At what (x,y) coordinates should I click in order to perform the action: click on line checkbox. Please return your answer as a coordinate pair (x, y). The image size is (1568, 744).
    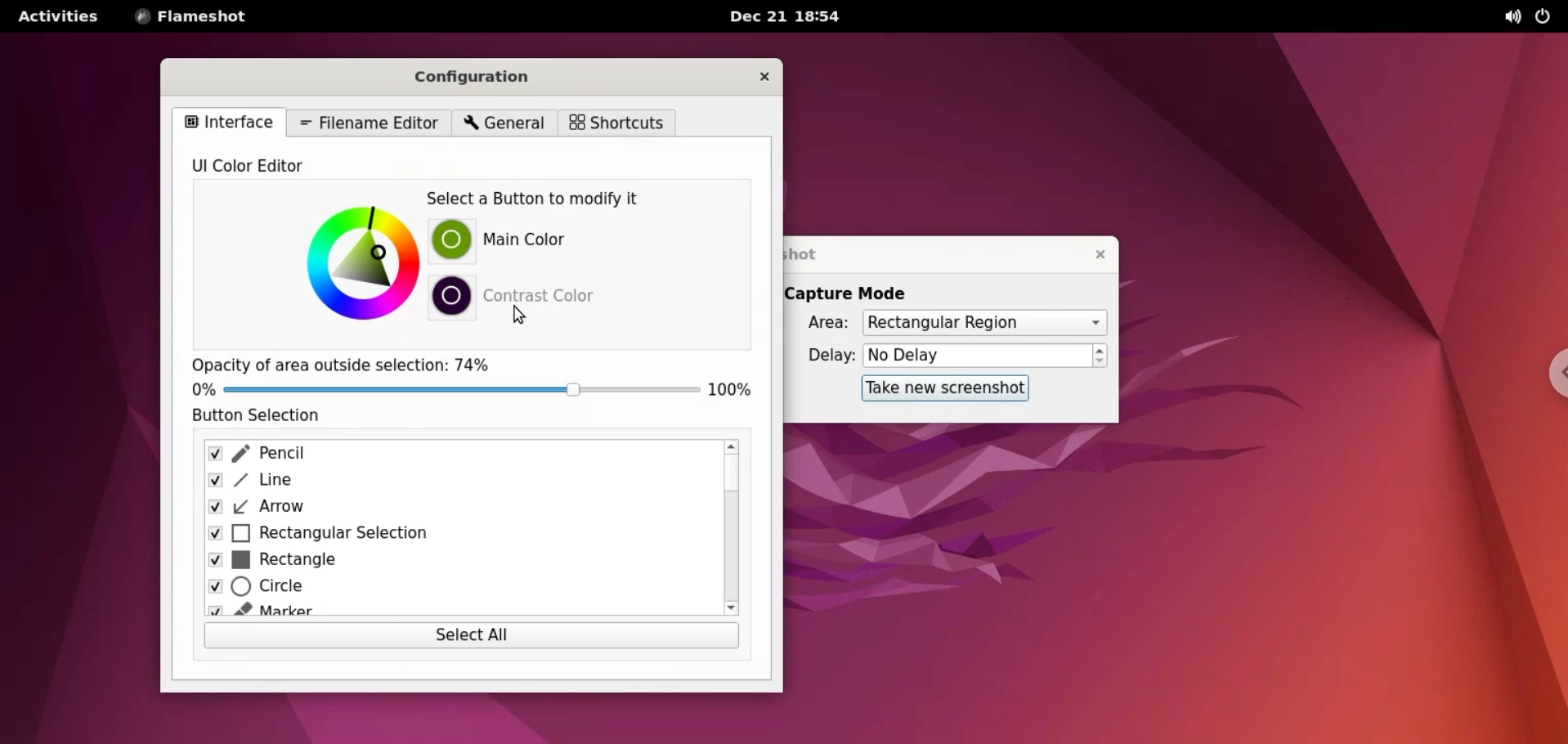
    Looking at the image, I should click on (452, 482).